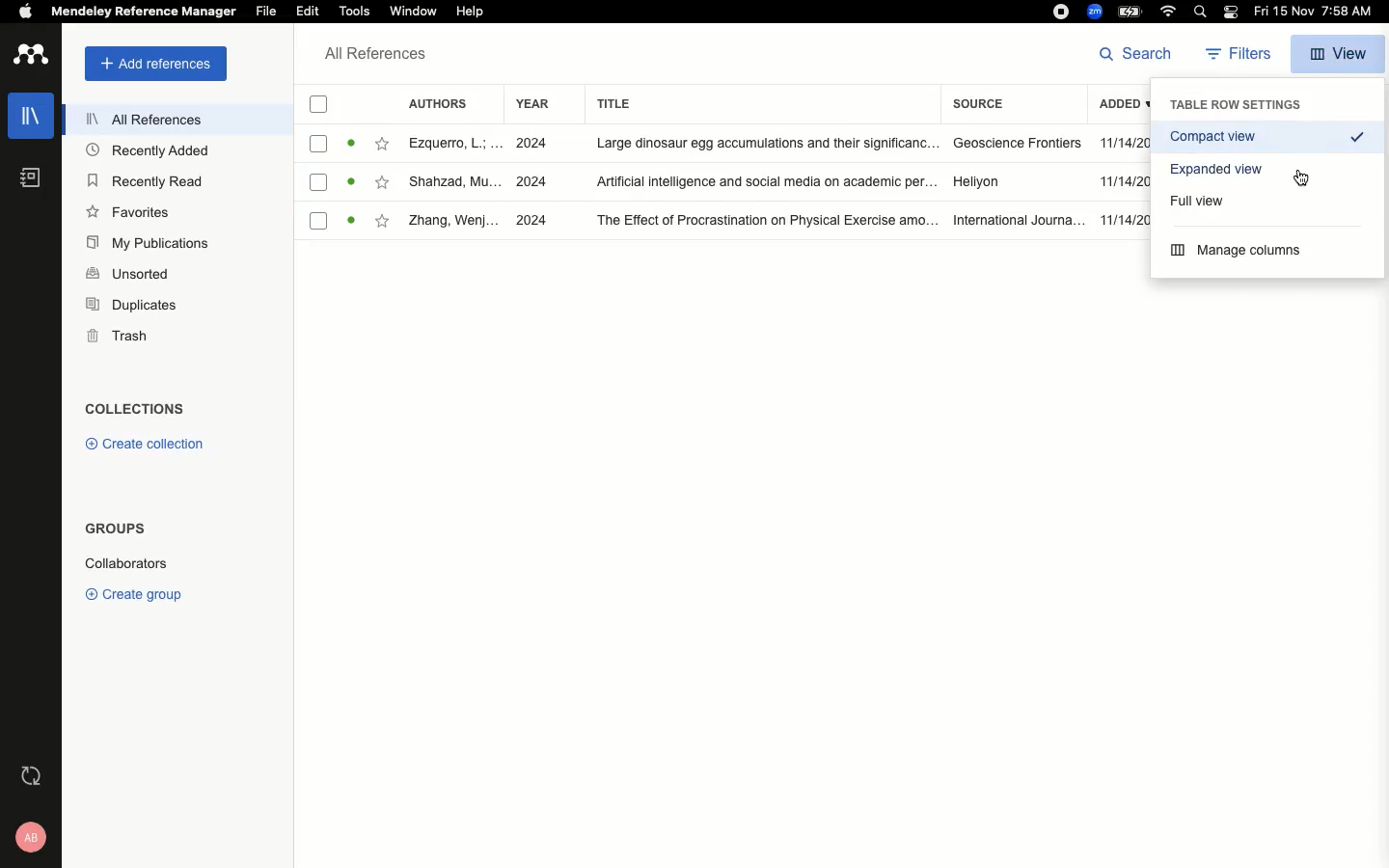 This screenshot has height=868, width=1389. Describe the element at coordinates (533, 180) in the screenshot. I see `2024` at that location.